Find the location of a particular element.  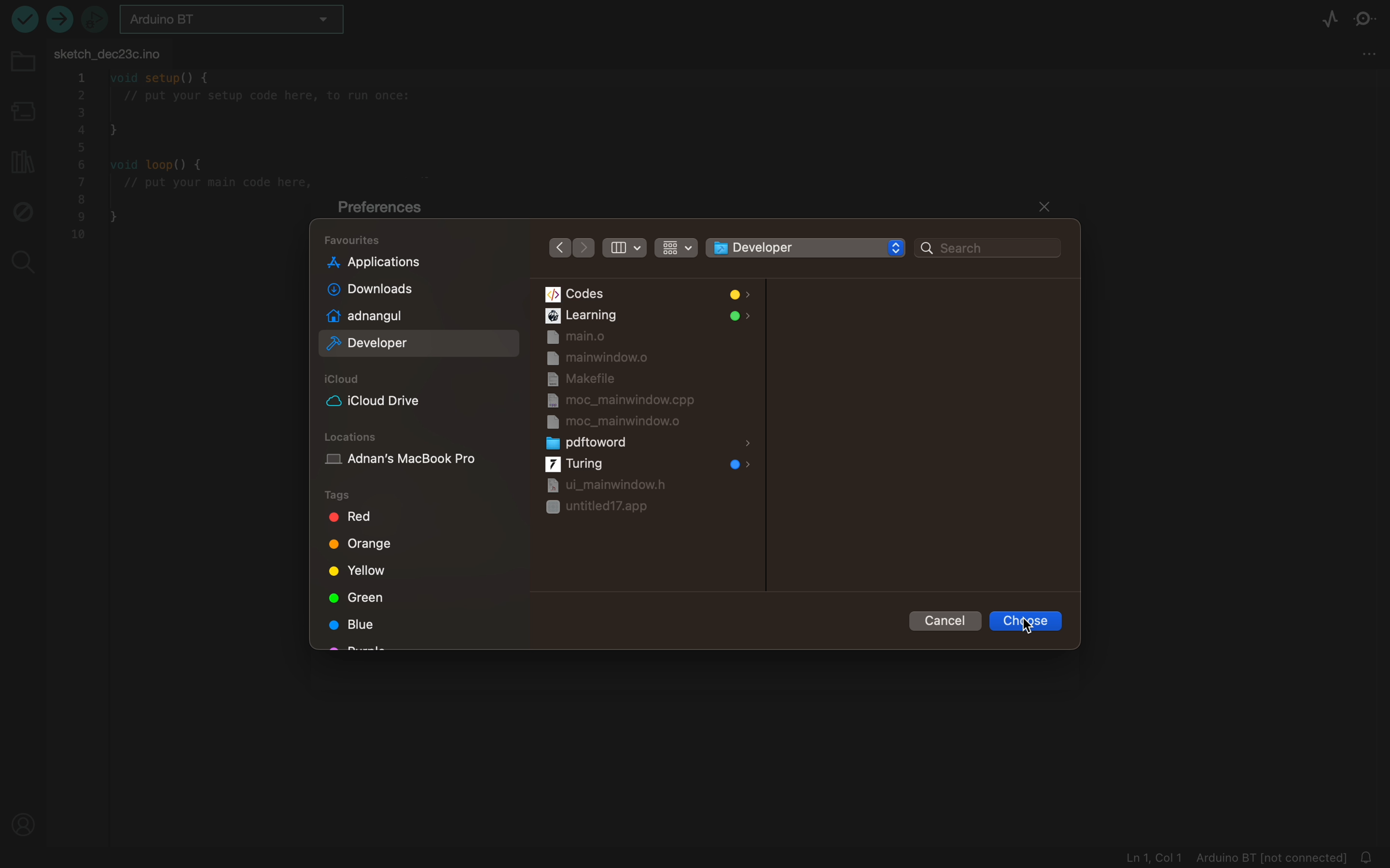

run is located at coordinates (25, 20).